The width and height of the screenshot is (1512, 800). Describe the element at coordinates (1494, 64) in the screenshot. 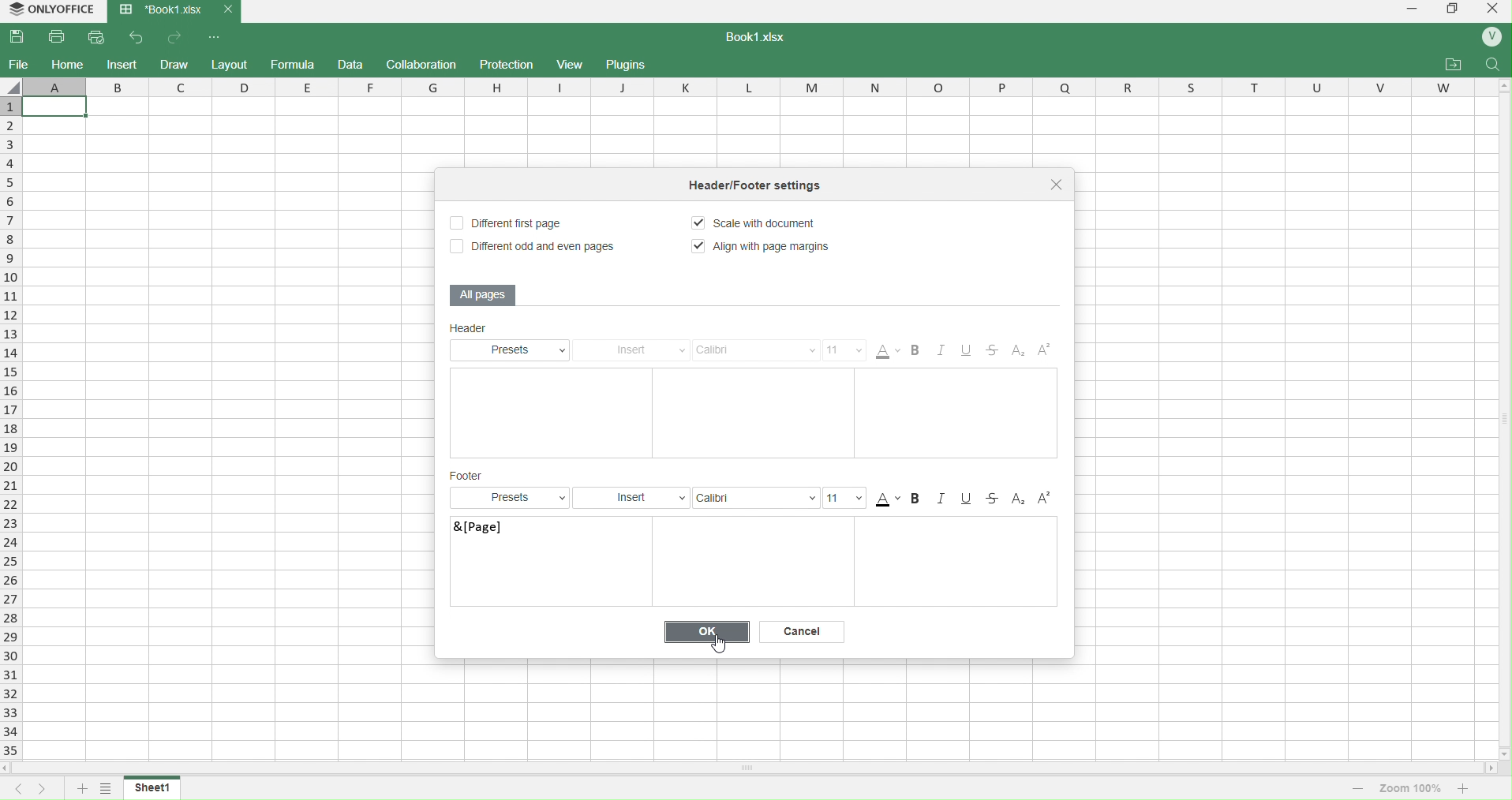

I see `search` at that location.